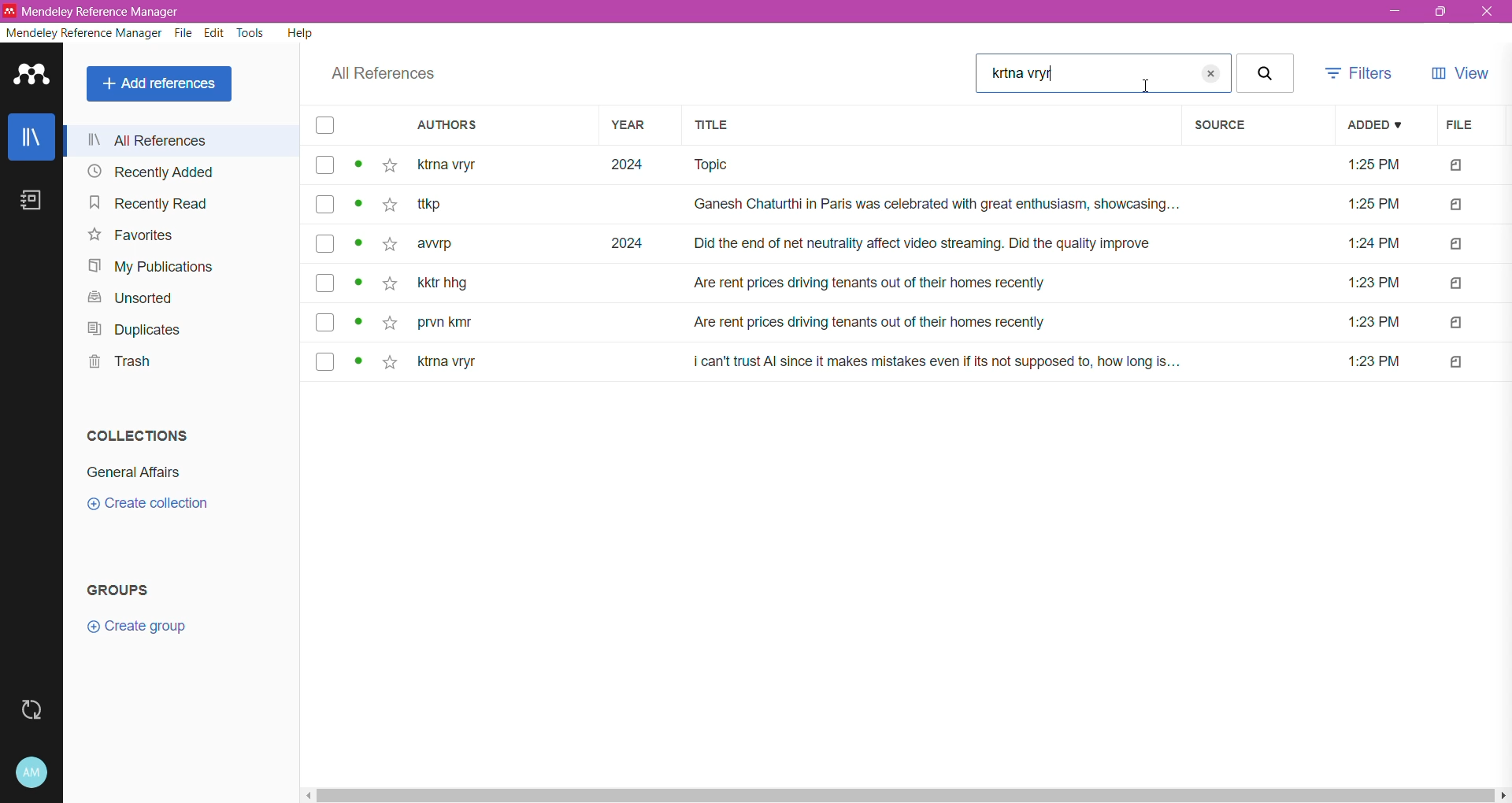  Describe the element at coordinates (359, 204) in the screenshot. I see `view status of the file` at that location.